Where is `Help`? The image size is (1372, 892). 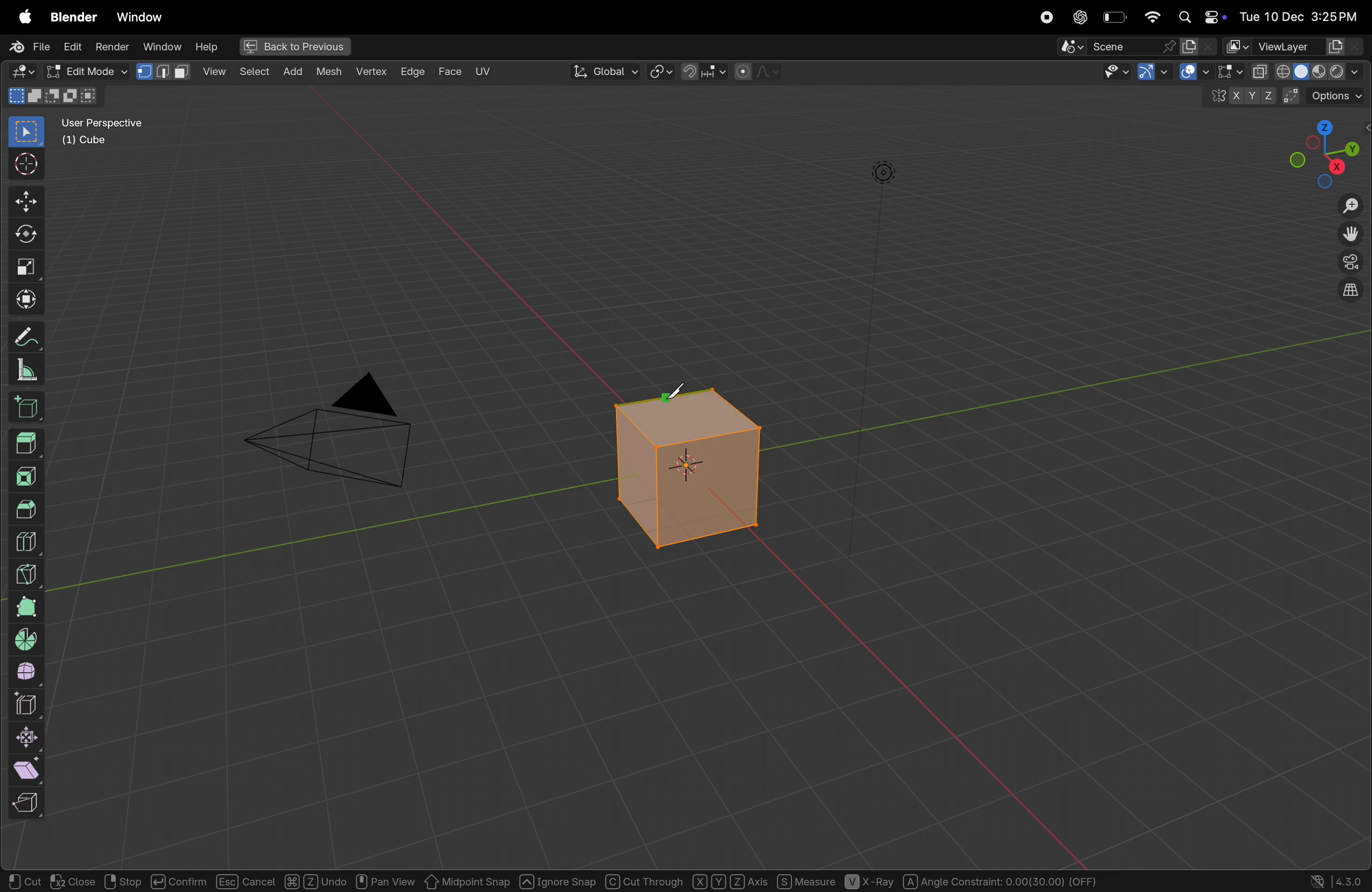
Help is located at coordinates (208, 47).